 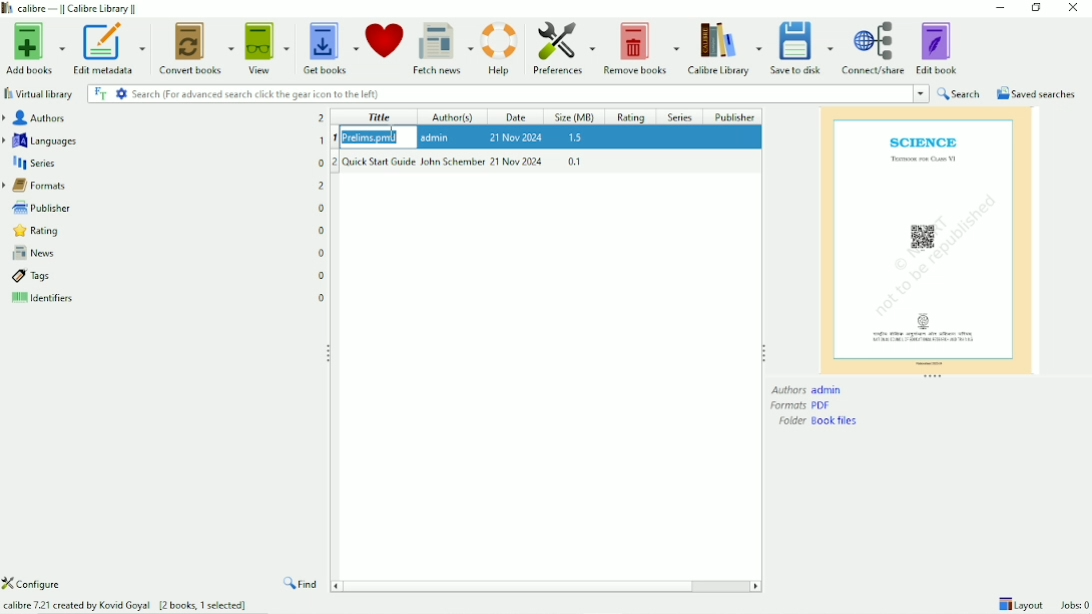 What do you see at coordinates (926, 239) in the screenshot?
I see `Preview` at bounding box center [926, 239].